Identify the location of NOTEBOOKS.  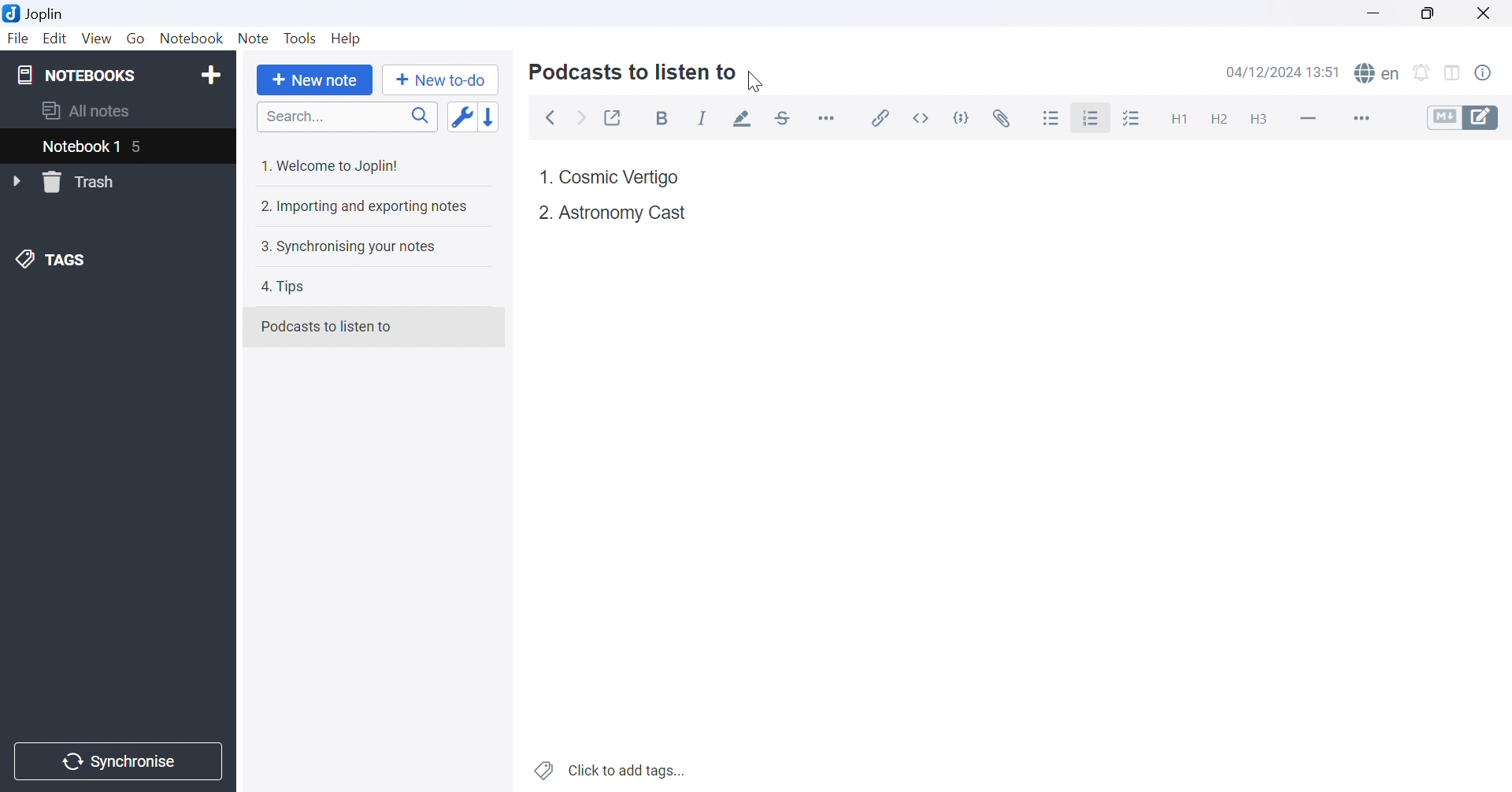
(76, 73).